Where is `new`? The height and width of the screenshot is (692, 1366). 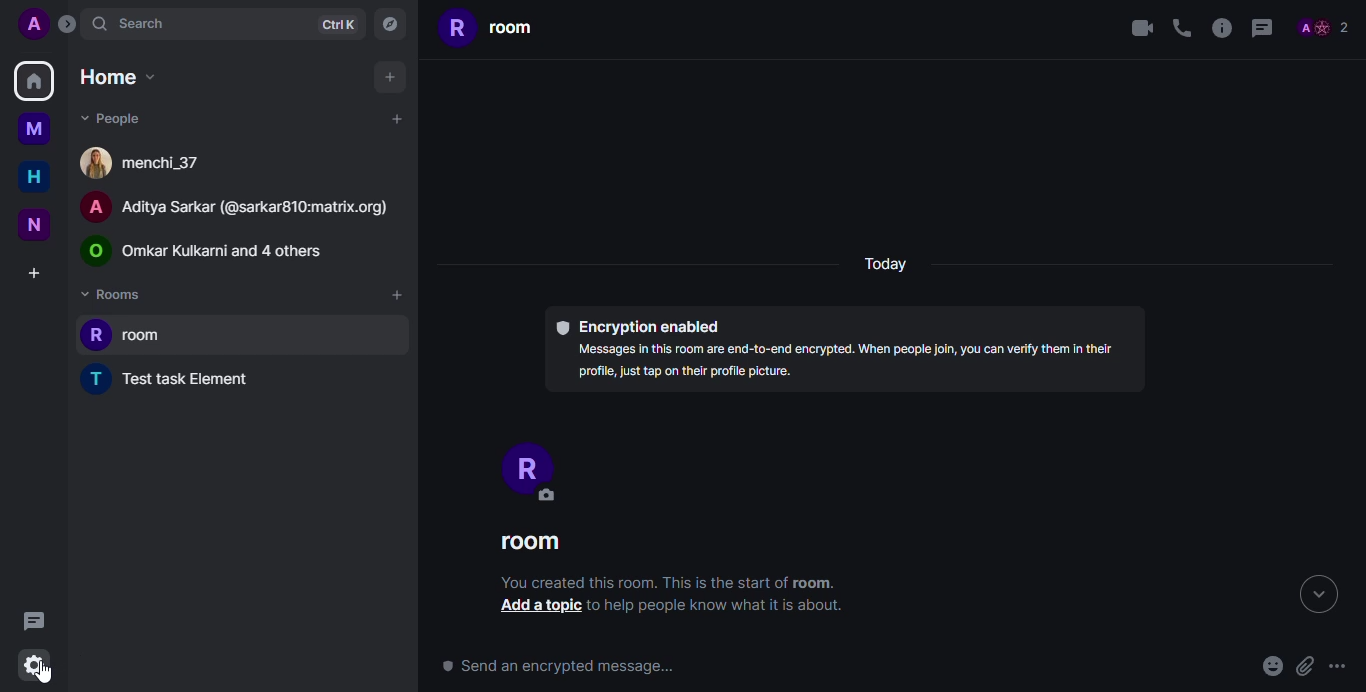 new is located at coordinates (30, 222).